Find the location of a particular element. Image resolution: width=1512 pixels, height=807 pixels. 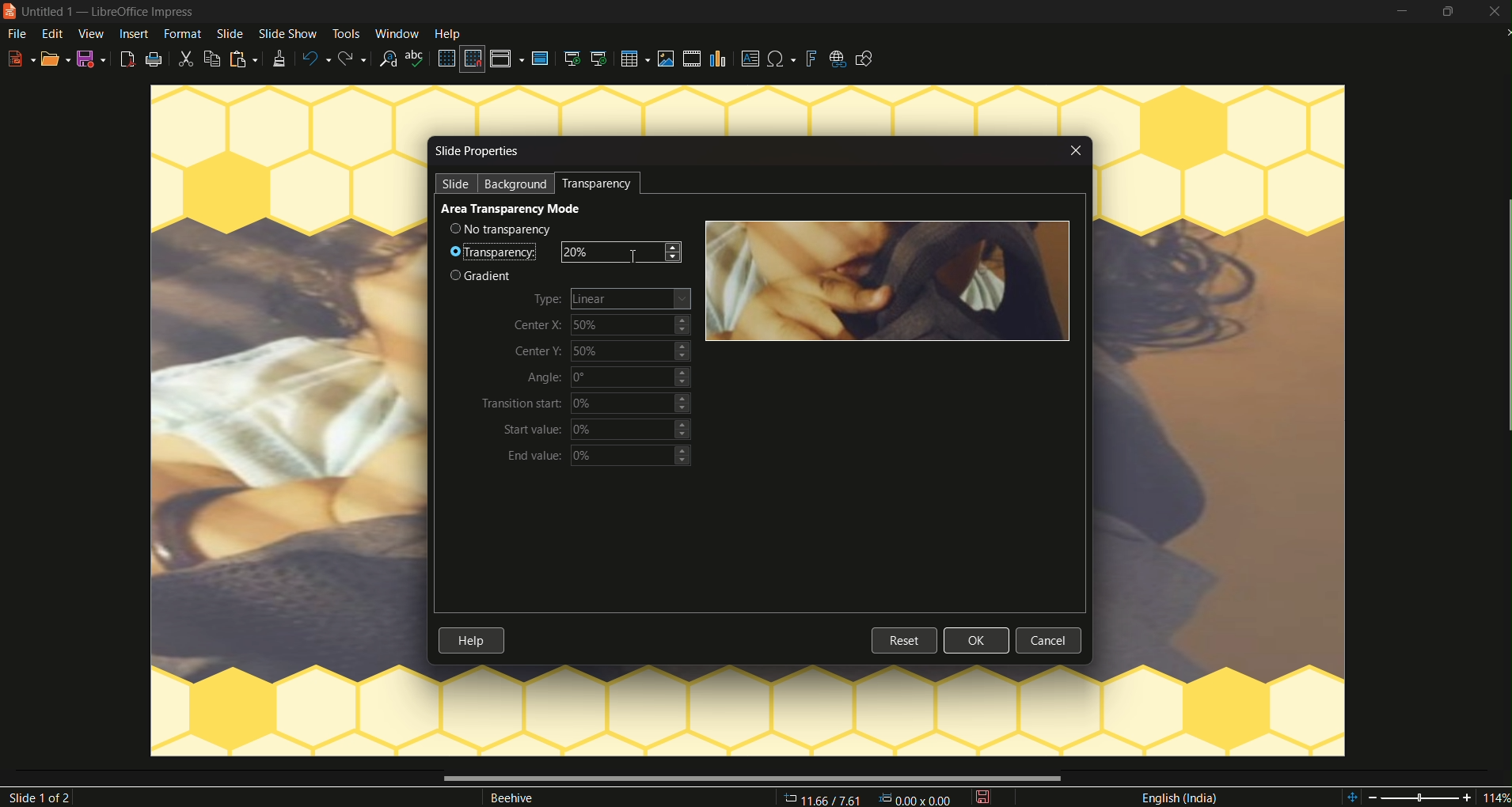

114% is located at coordinates (1426, 795).